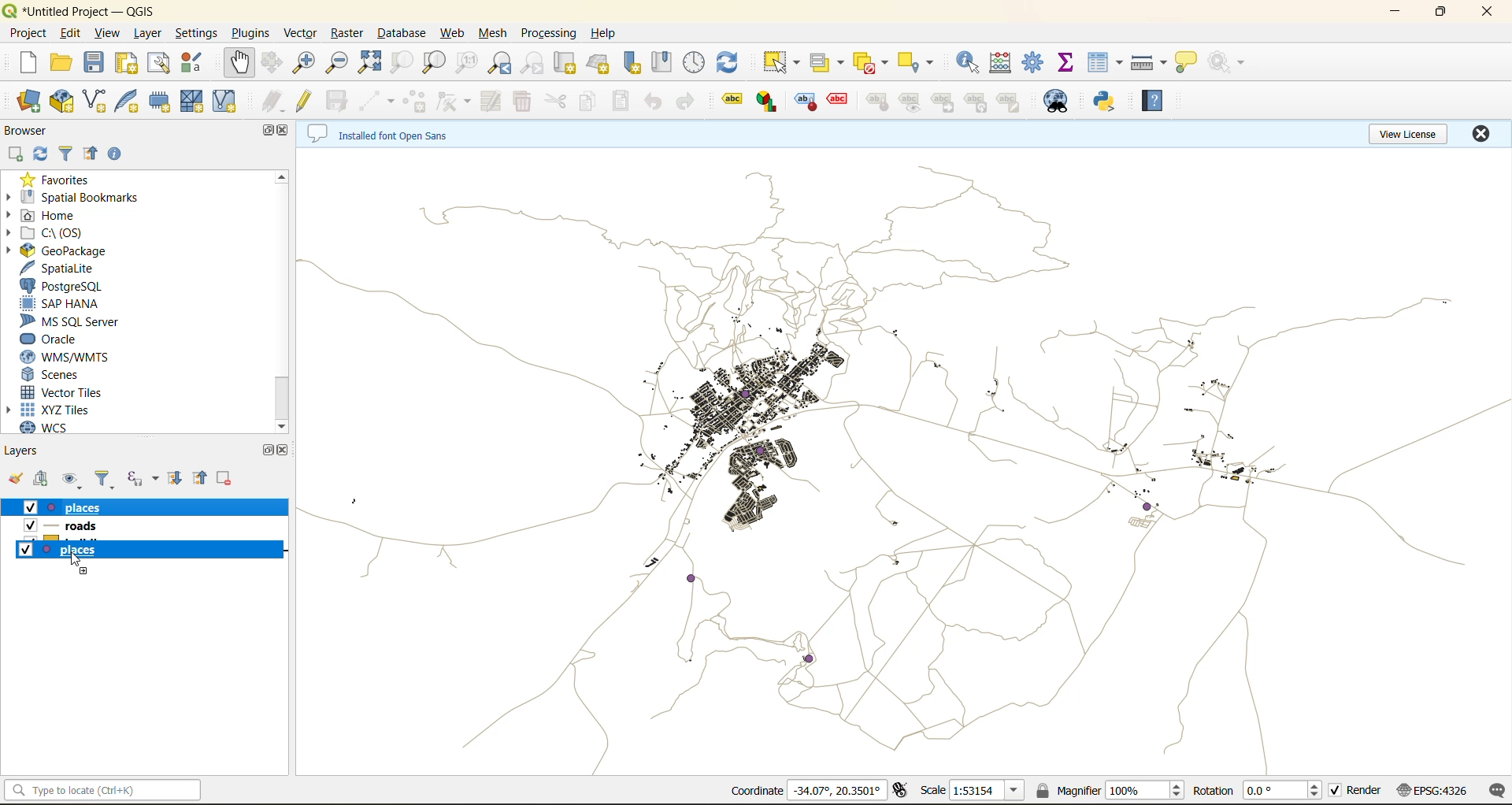 This screenshot has height=805, width=1512. What do you see at coordinates (73, 321) in the screenshot?
I see `ms sql server` at bounding box center [73, 321].